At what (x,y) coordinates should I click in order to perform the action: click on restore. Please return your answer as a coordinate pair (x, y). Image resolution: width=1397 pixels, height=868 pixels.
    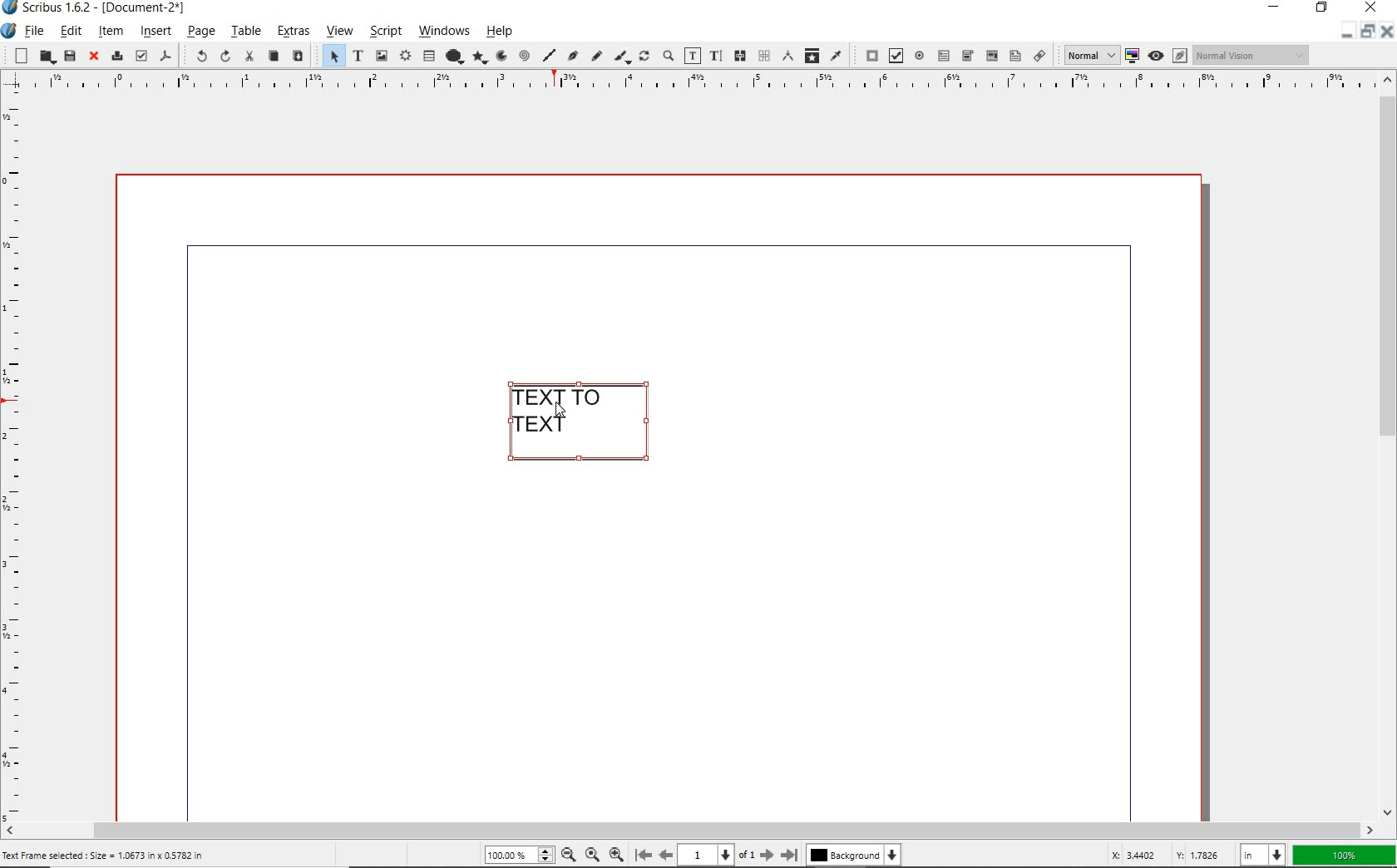
    Looking at the image, I should click on (1322, 9).